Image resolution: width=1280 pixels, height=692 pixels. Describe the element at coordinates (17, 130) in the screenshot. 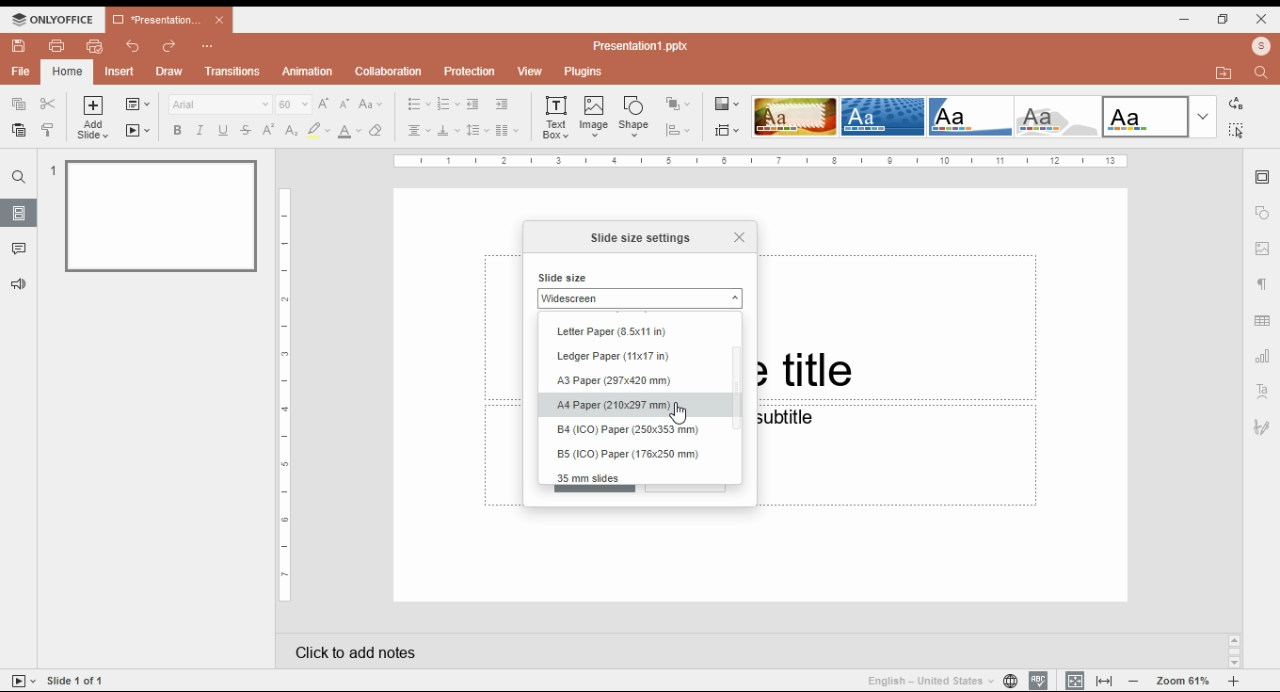

I see `paste` at that location.